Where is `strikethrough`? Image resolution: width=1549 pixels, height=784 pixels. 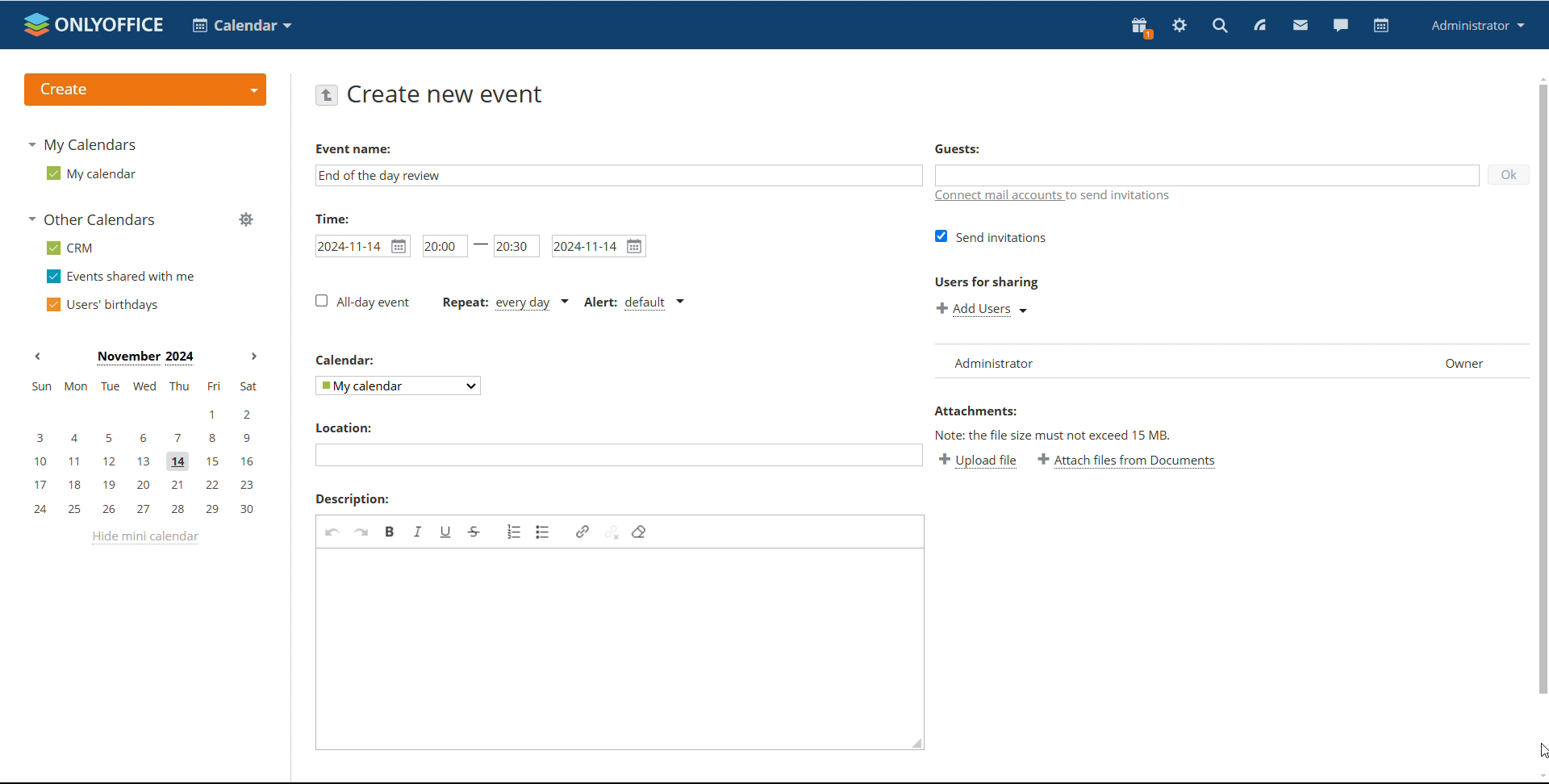
strikethrough is located at coordinates (474, 532).